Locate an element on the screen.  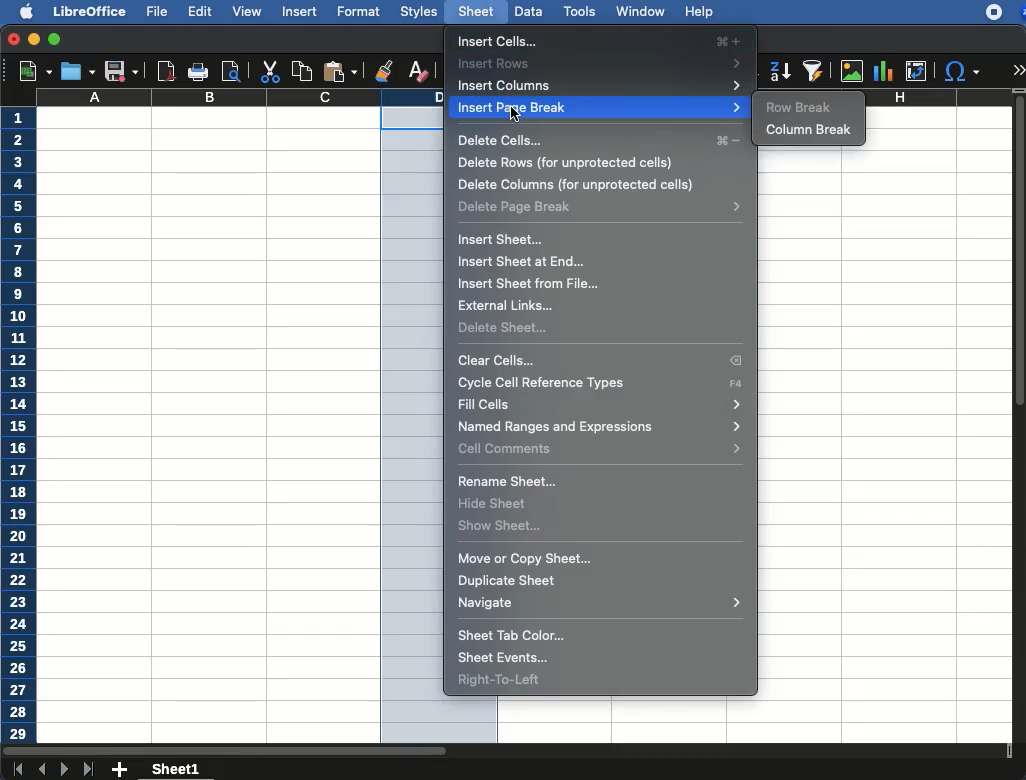
insert sheet from file is located at coordinates (531, 284).